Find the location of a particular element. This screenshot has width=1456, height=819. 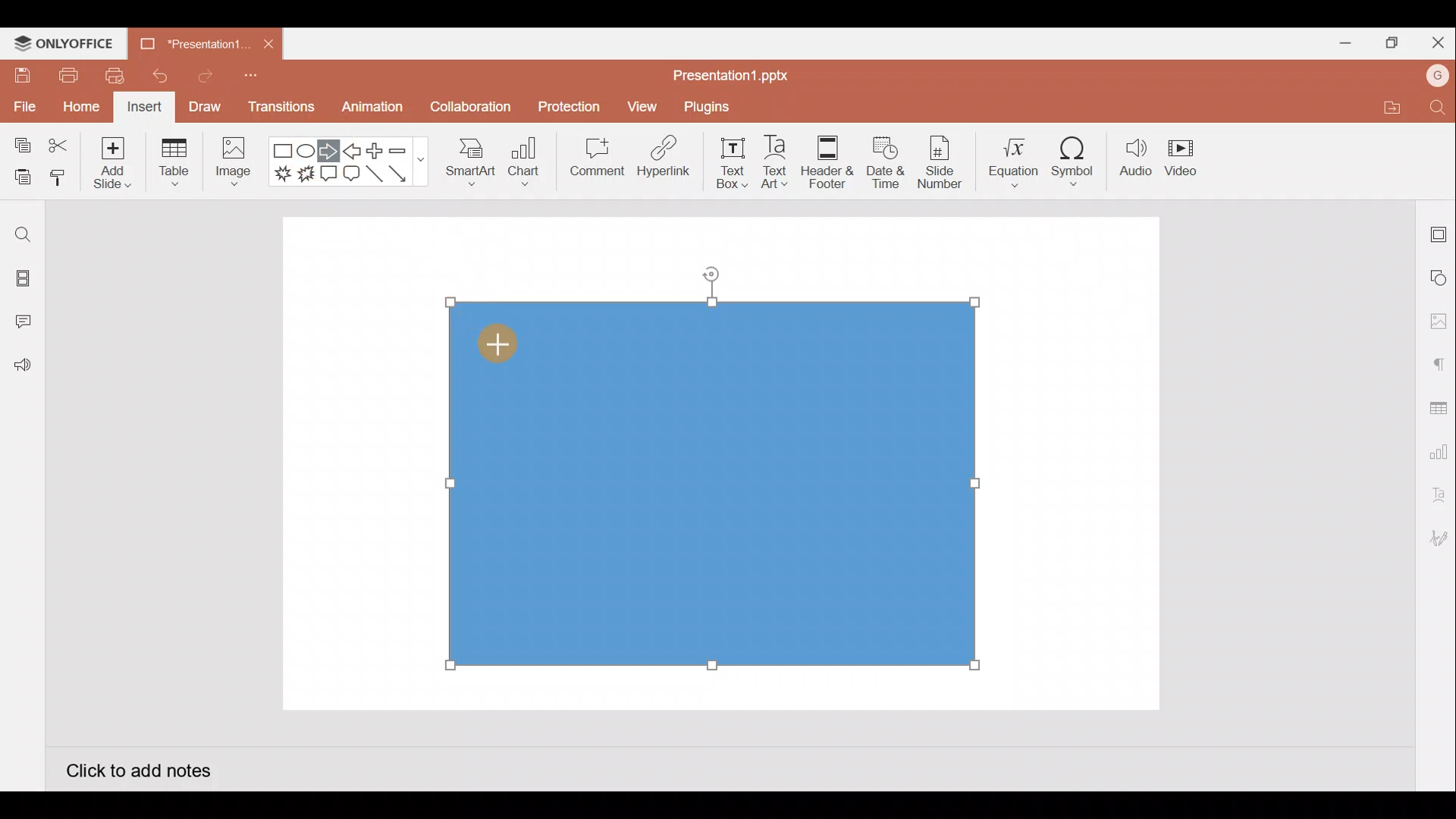

Presentation1. is located at coordinates (190, 41).